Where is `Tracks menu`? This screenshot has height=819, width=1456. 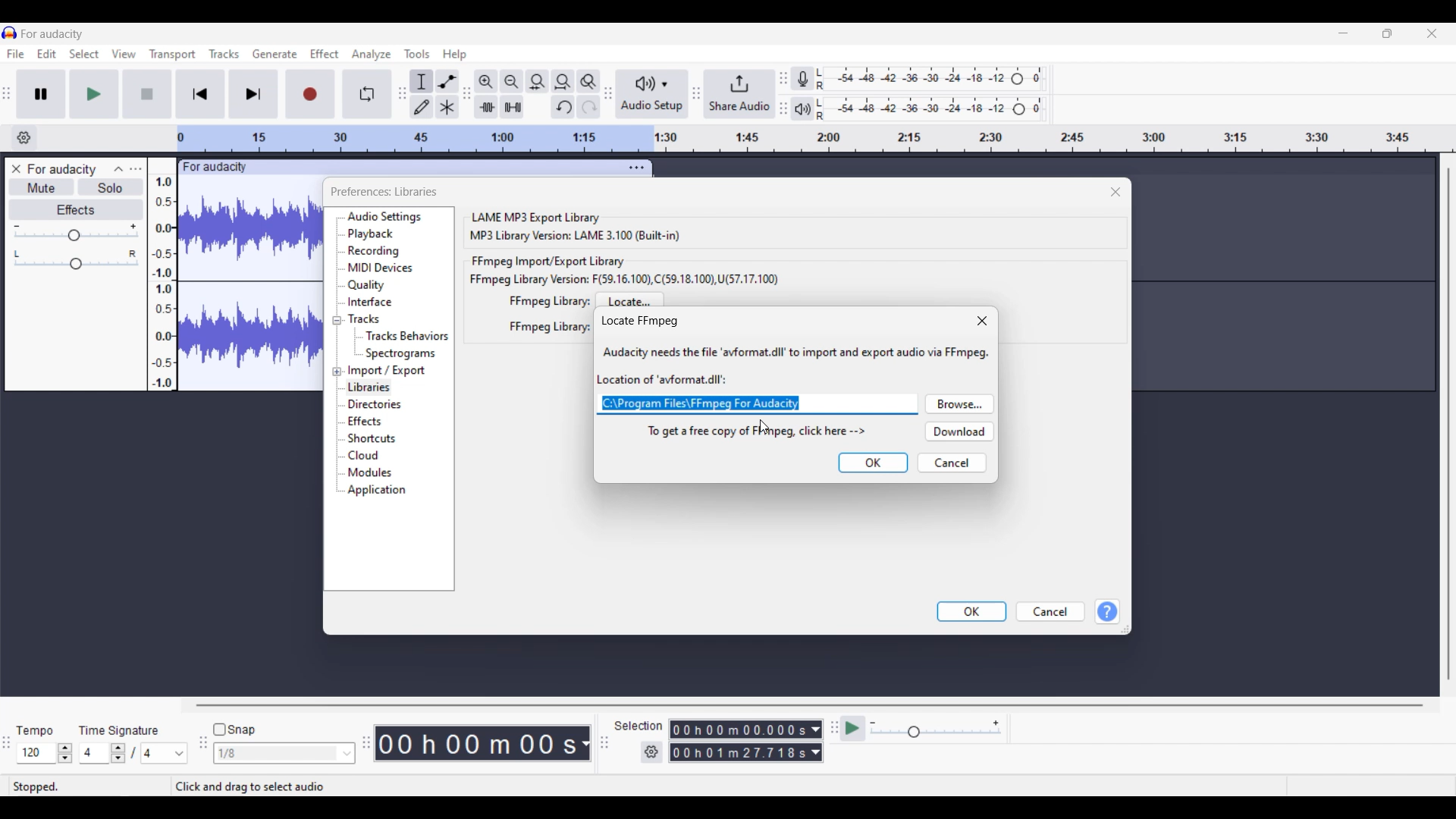
Tracks menu is located at coordinates (224, 54).